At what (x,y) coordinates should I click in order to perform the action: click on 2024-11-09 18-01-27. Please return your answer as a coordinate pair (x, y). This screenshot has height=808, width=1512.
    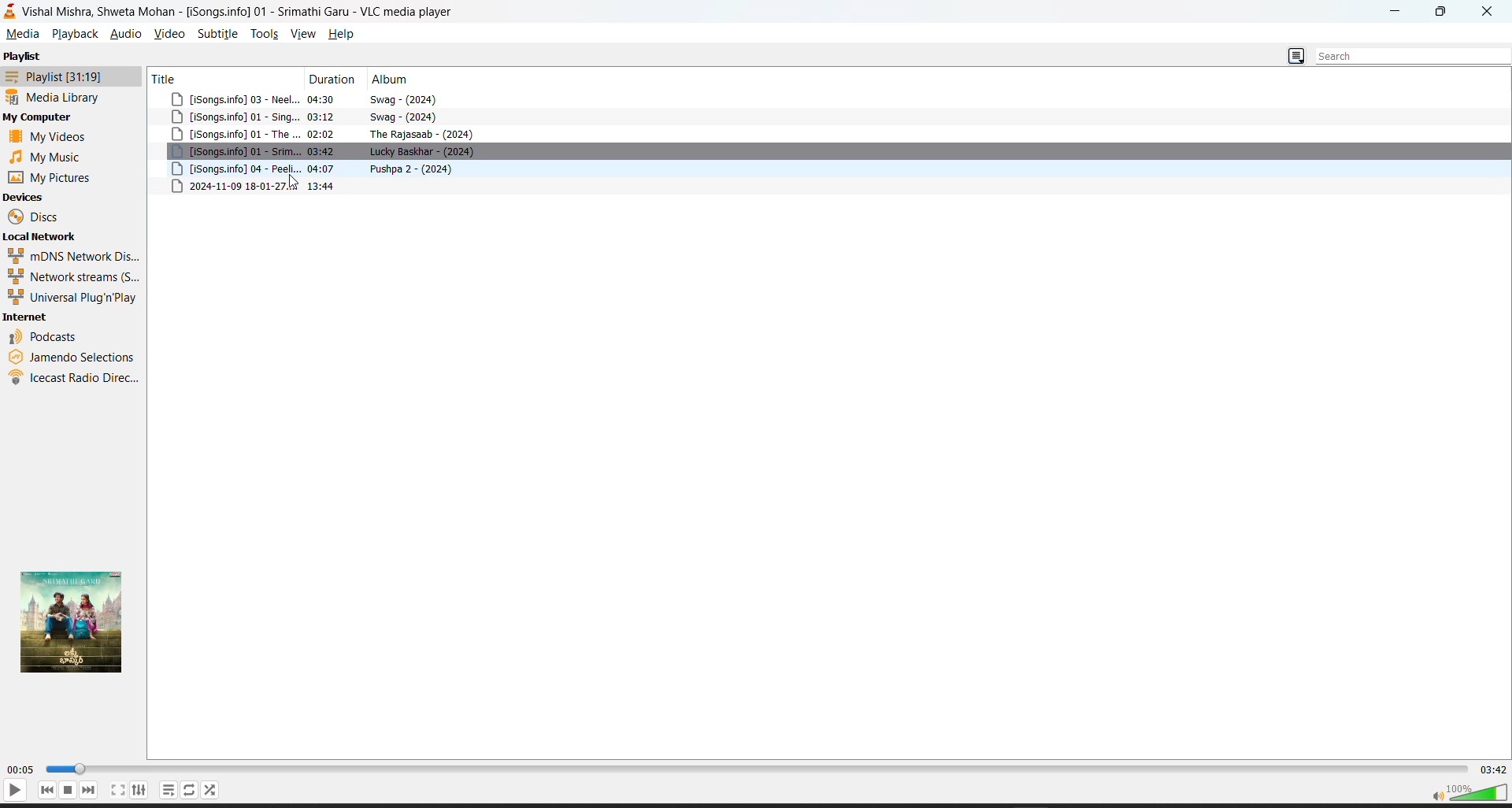
    Looking at the image, I should click on (232, 186).